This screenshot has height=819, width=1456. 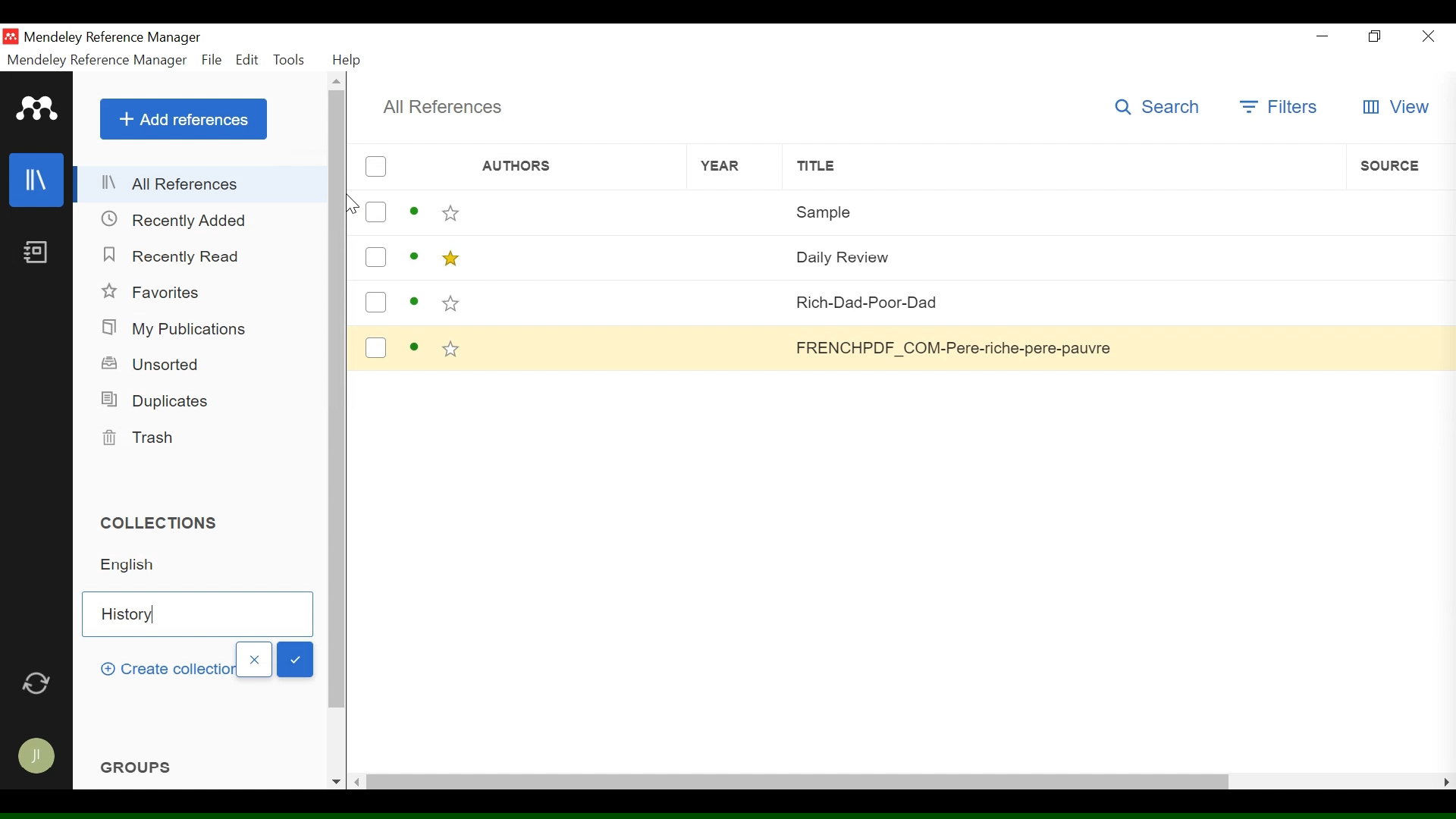 I want to click on Year, so click(x=736, y=304).